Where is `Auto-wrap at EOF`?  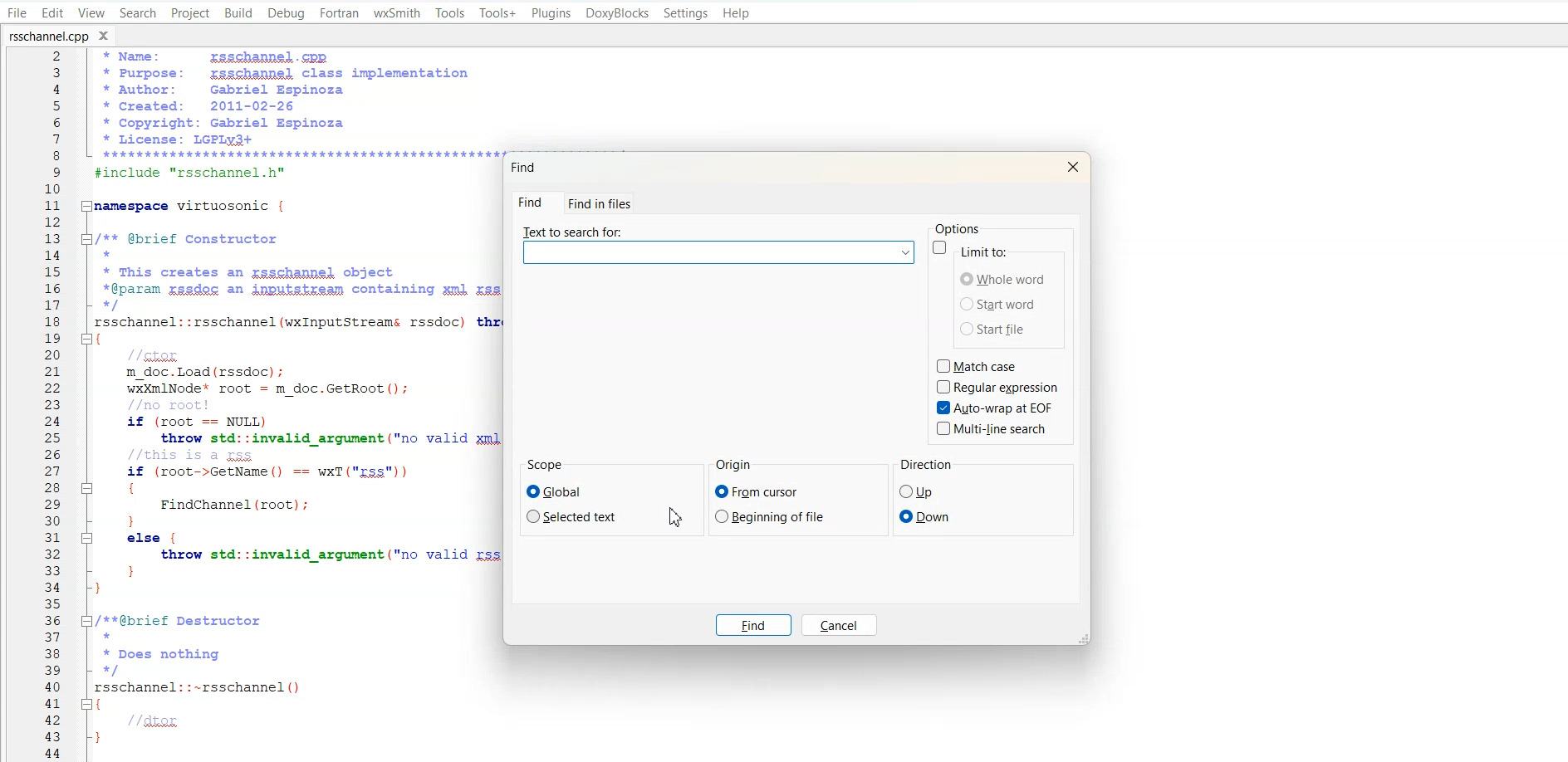
Auto-wrap at EOF is located at coordinates (995, 408).